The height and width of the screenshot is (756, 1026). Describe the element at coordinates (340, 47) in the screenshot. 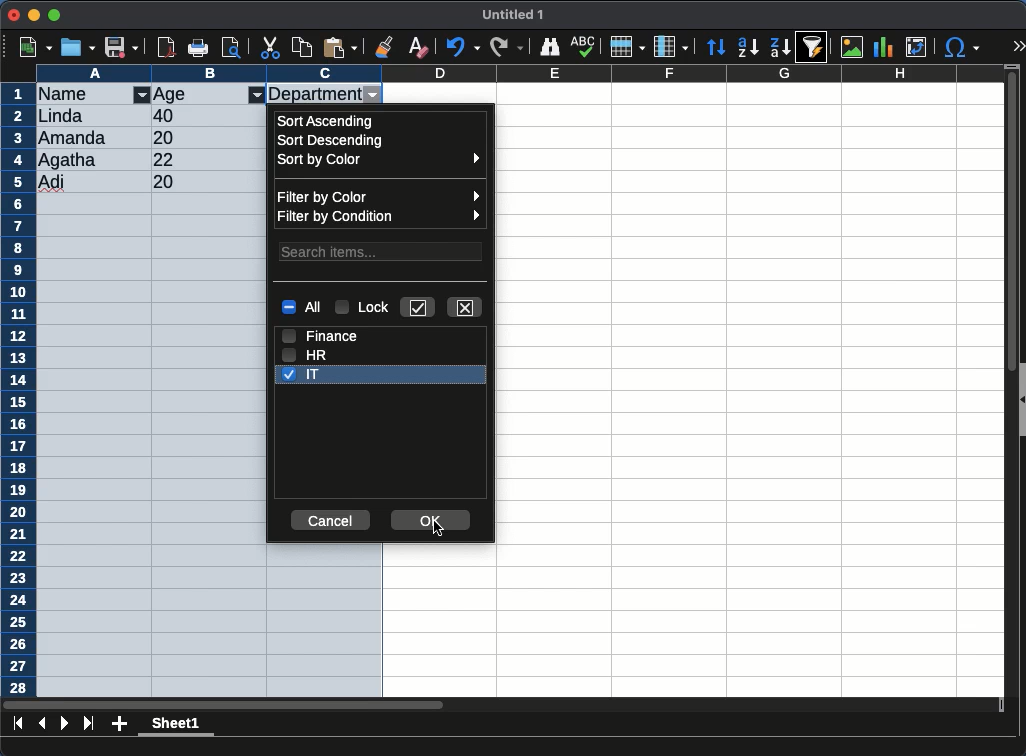

I see `paste` at that location.